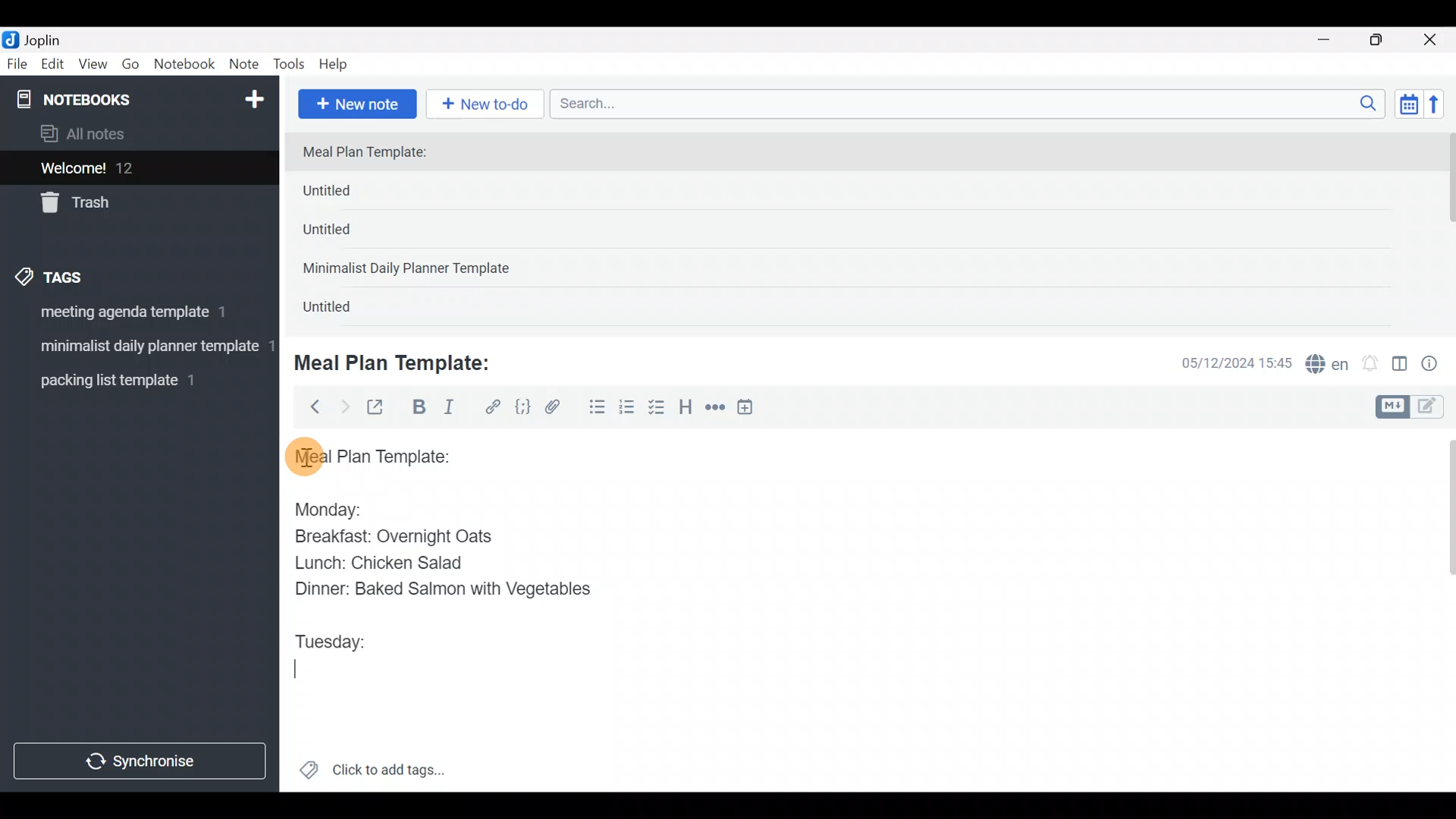 The image size is (1456, 819). What do you see at coordinates (185, 64) in the screenshot?
I see `Notebook` at bounding box center [185, 64].